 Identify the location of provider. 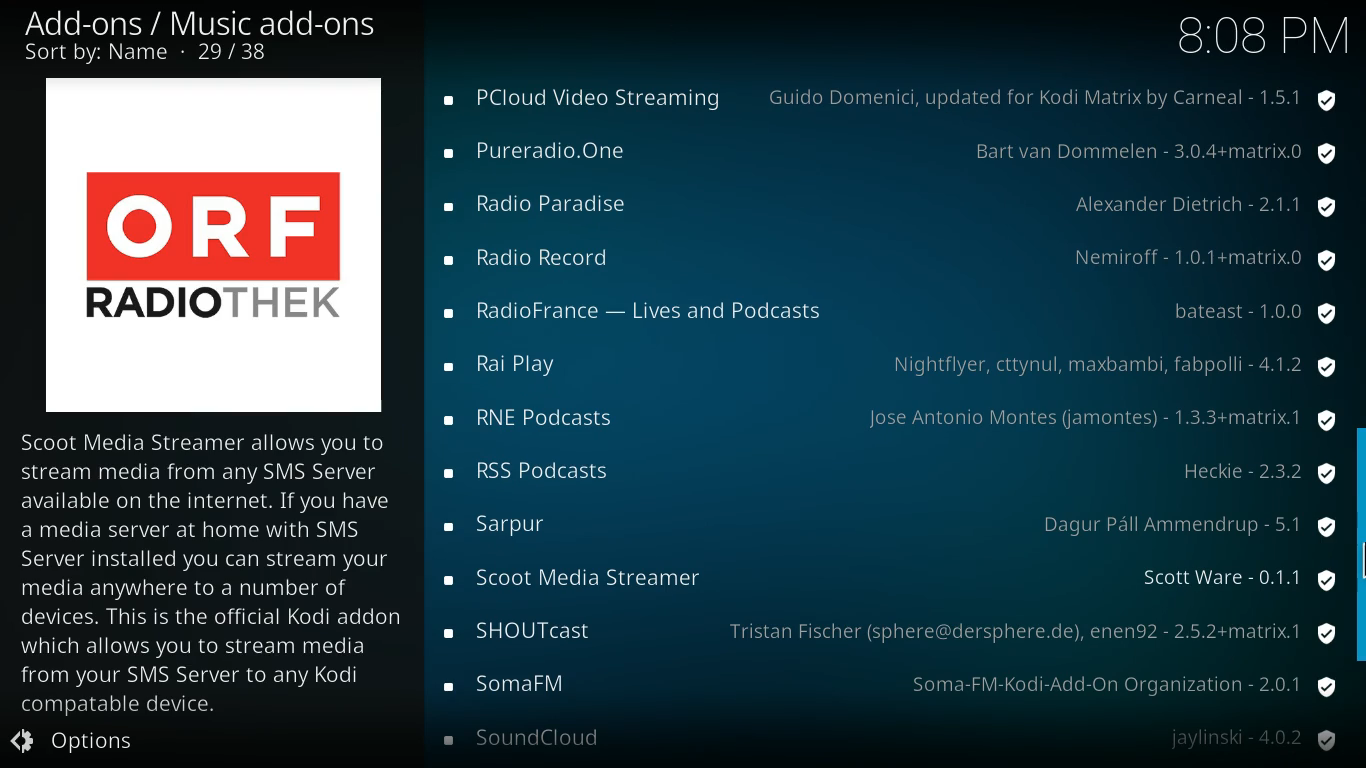
(1096, 419).